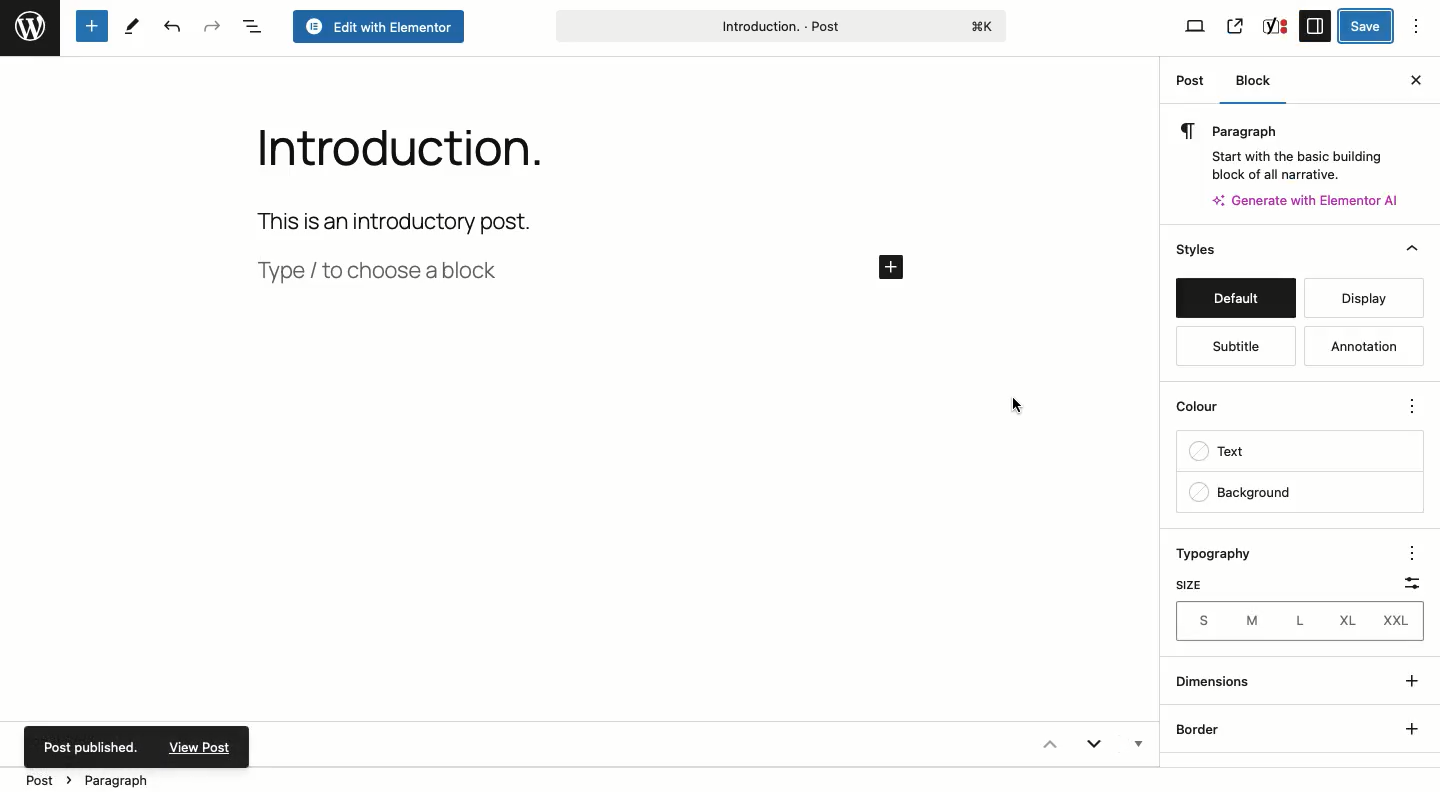 The image size is (1440, 792). Describe the element at coordinates (253, 28) in the screenshot. I see `Document overview` at that location.